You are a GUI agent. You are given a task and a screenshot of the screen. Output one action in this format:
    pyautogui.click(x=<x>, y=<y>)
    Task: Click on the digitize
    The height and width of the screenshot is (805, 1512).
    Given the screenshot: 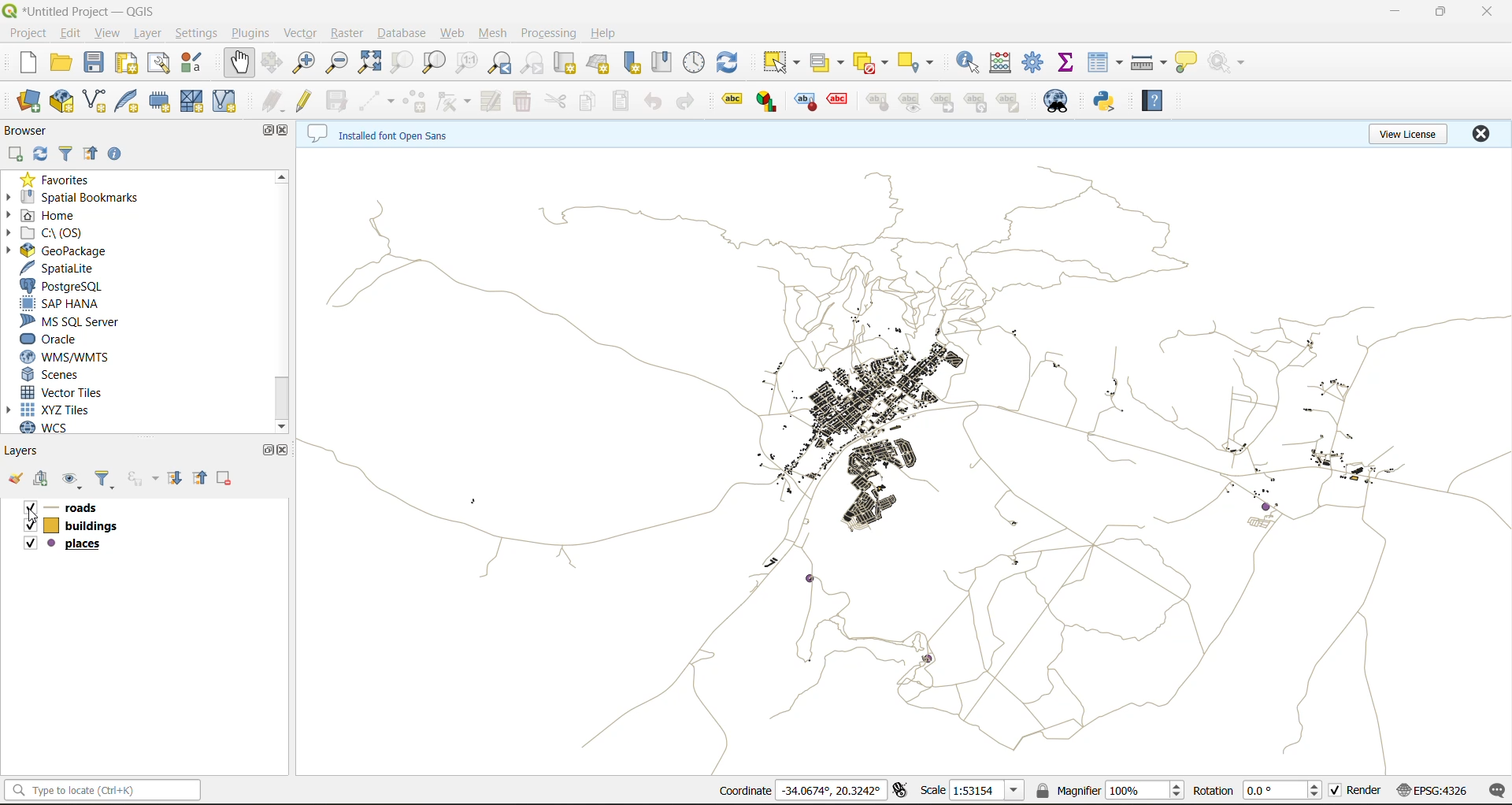 What is the action you would take?
    pyautogui.click(x=374, y=101)
    